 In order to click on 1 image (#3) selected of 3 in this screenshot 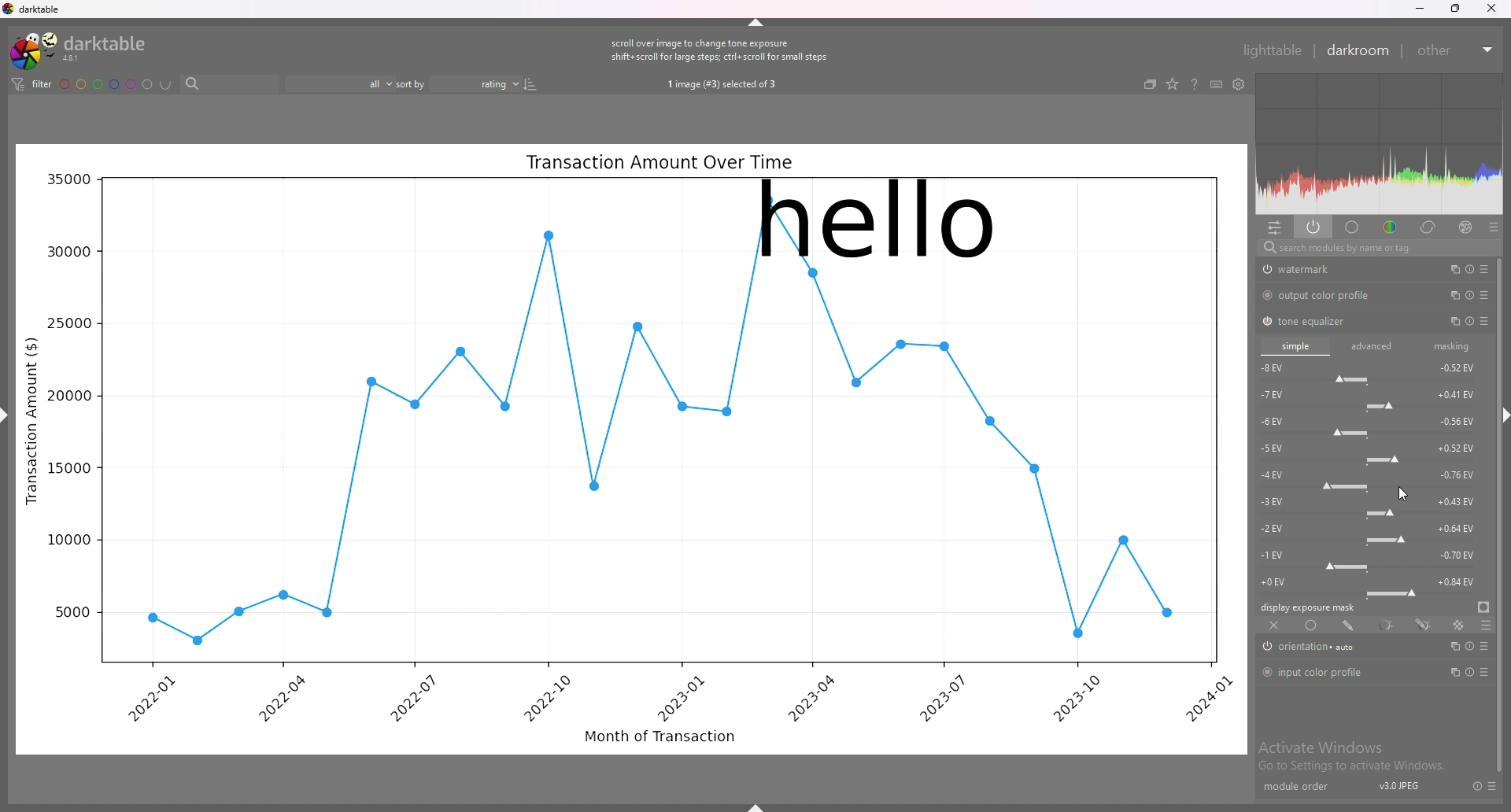, I will do `click(722, 85)`.